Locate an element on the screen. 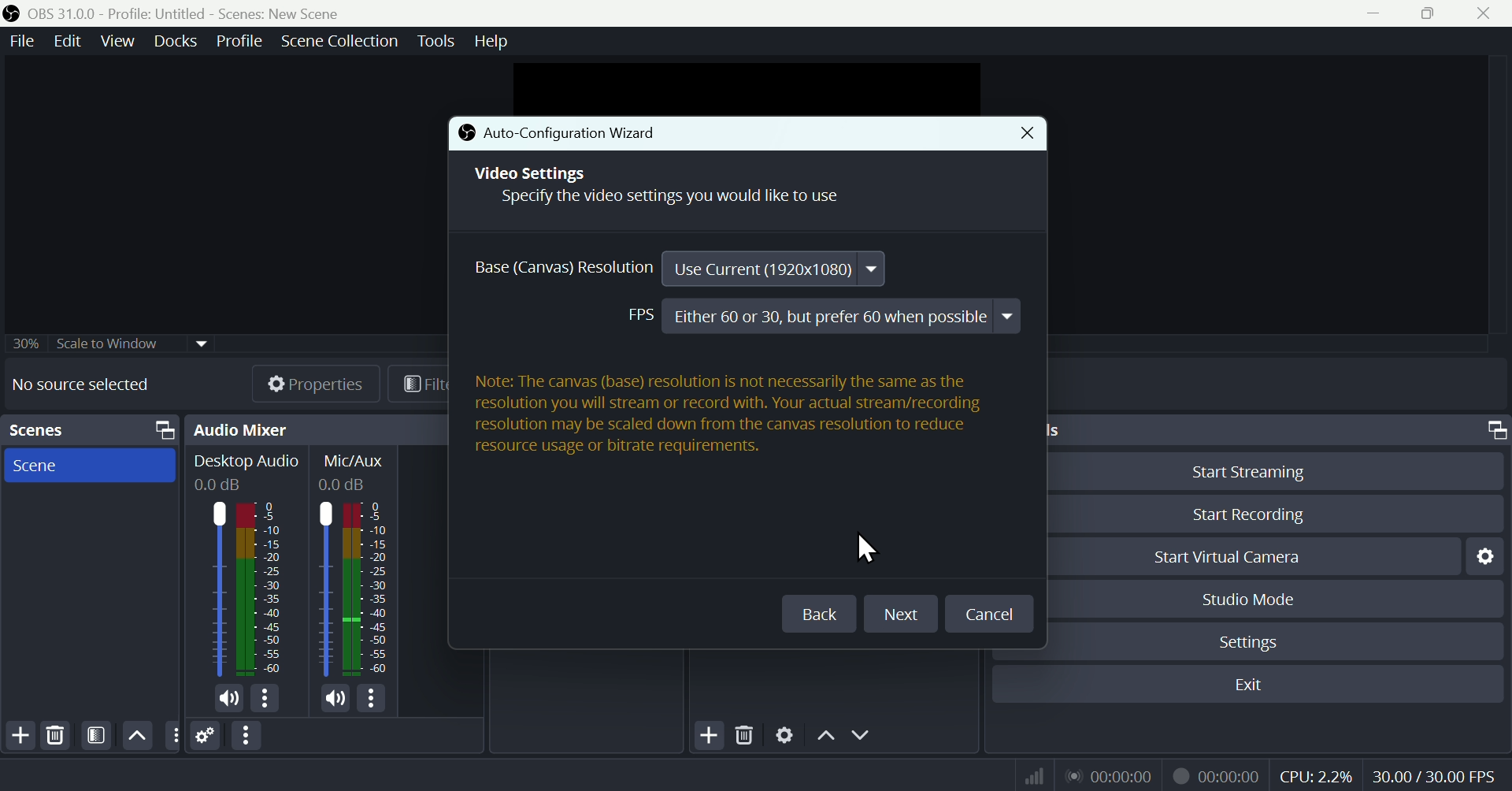 This screenshot has width=1512, height=791. Cancel is located at coordinates (988, 615).